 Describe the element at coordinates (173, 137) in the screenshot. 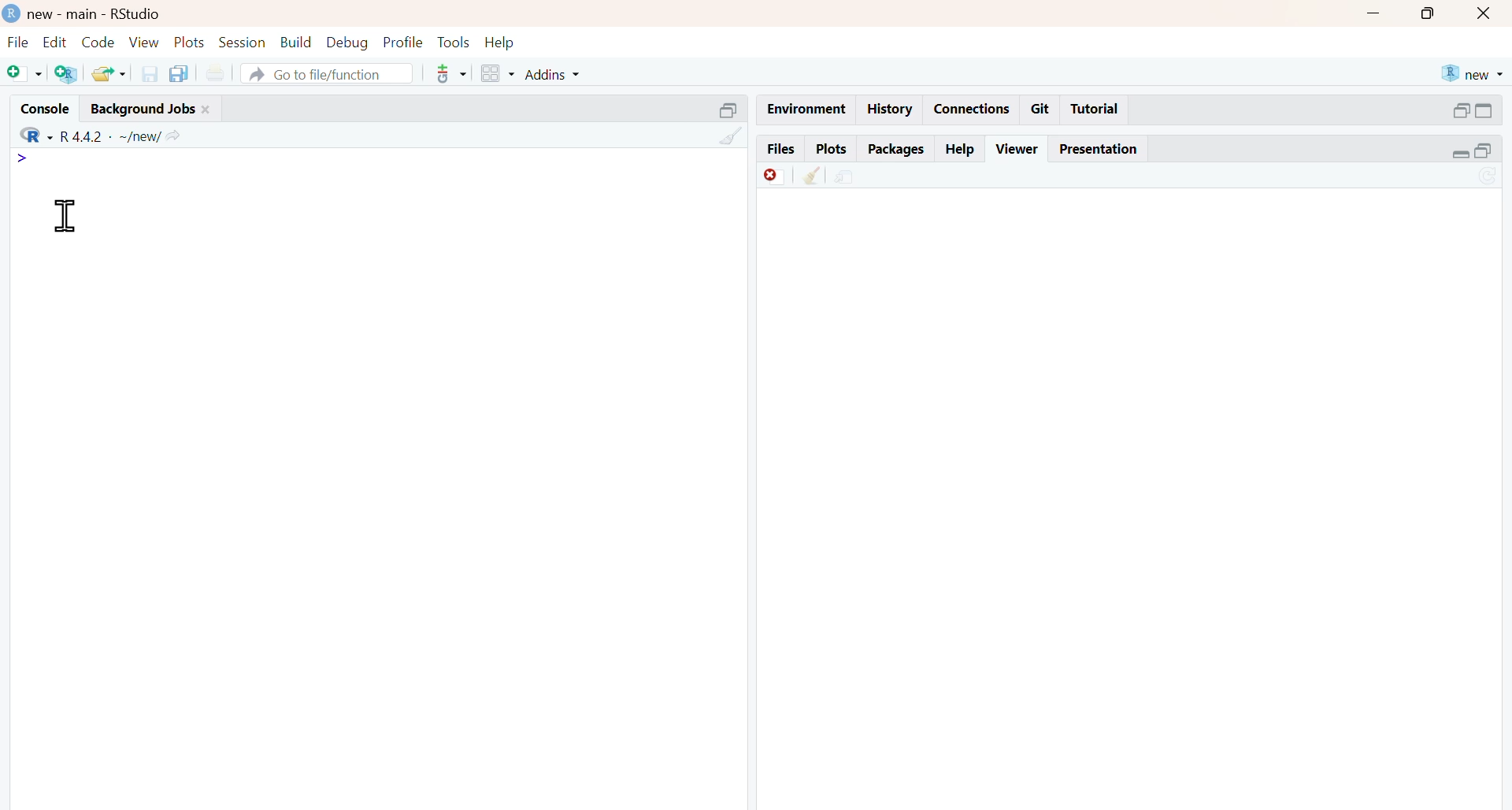

I see `share icon` at that location.